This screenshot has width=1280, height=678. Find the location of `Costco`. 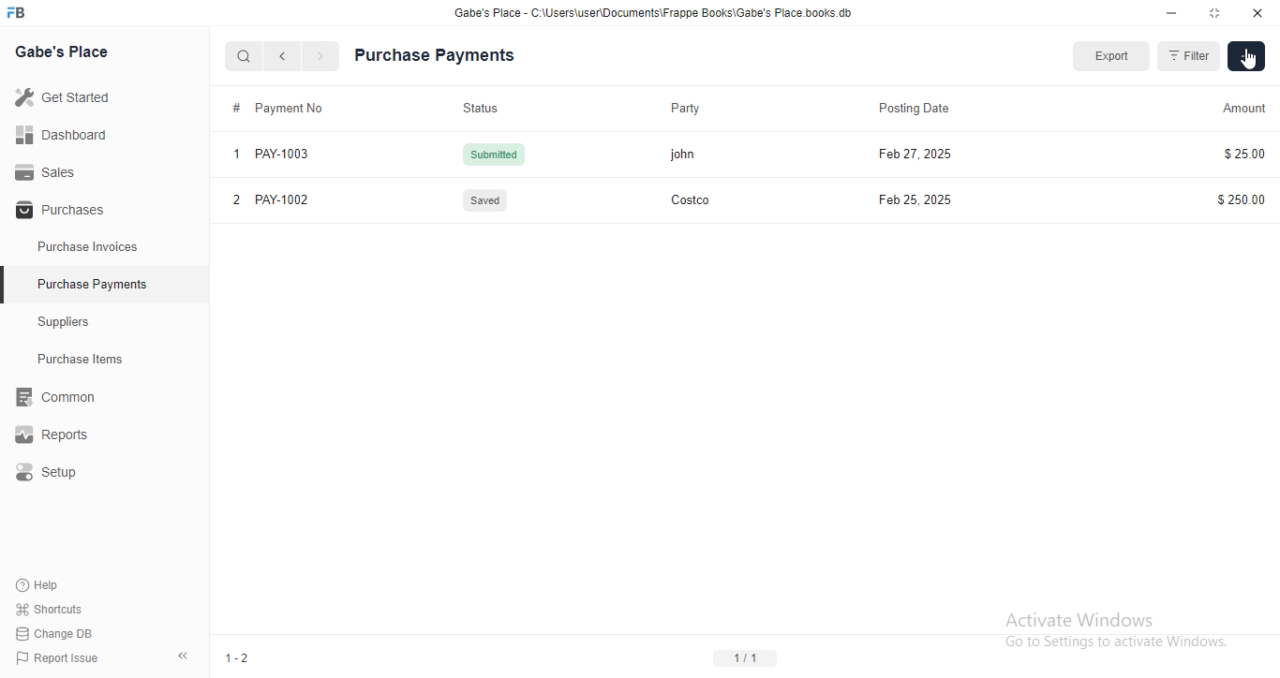

Costco is located at coordinates (690, 200).